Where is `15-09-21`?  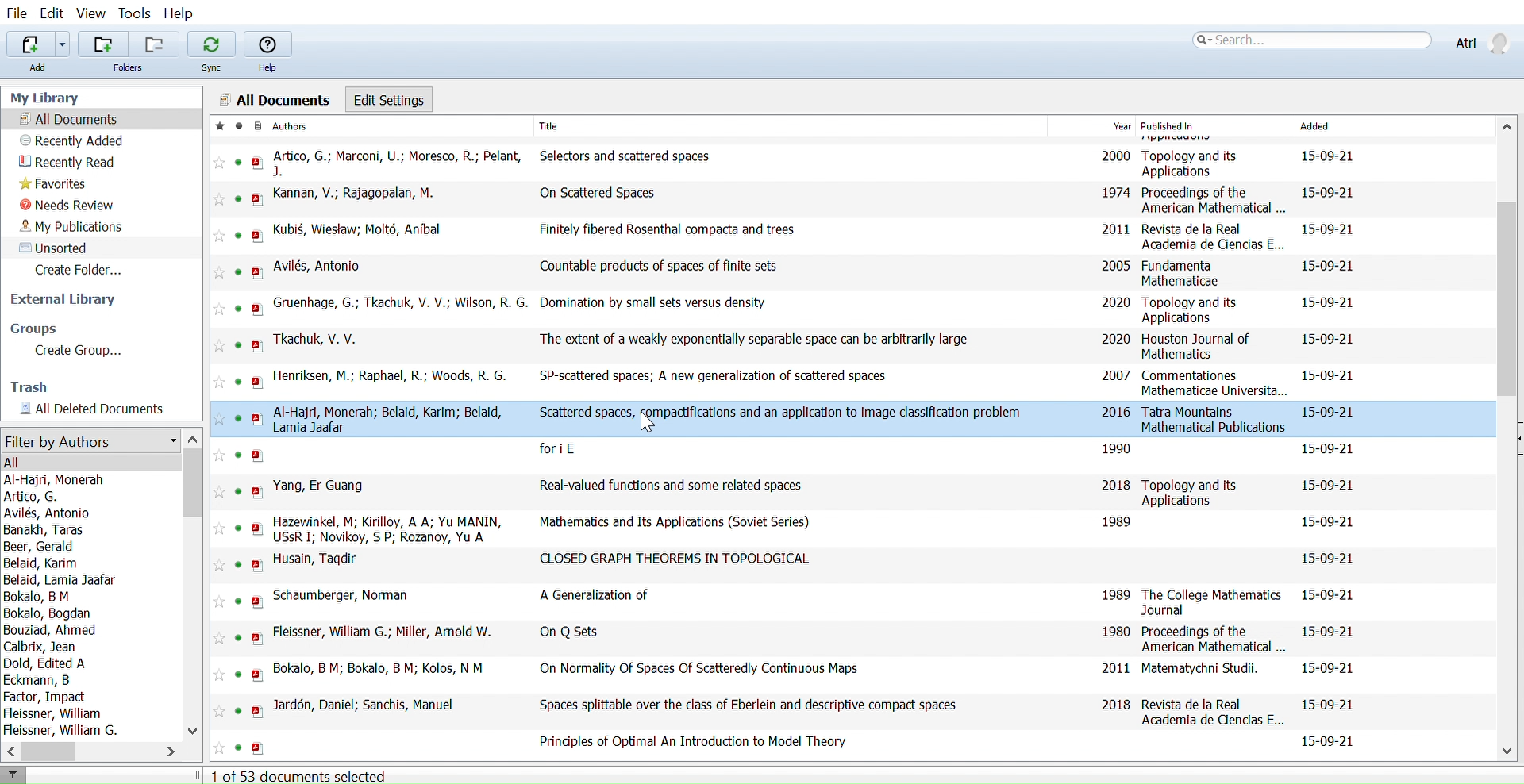
15-09-21 is located at coordinates (1330, 631).